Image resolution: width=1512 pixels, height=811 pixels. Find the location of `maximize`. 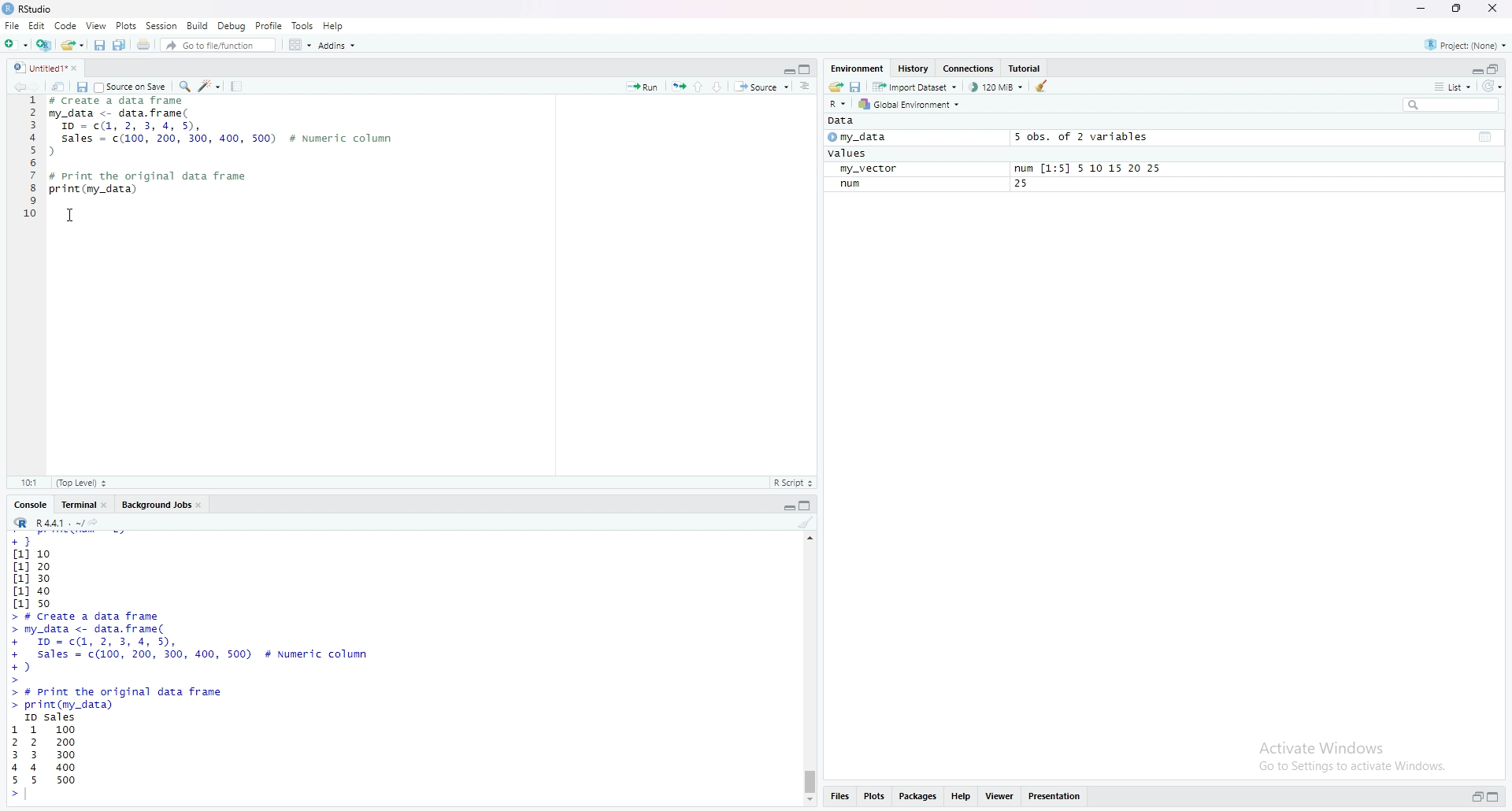

maximize is located at coordinates (805, 69).